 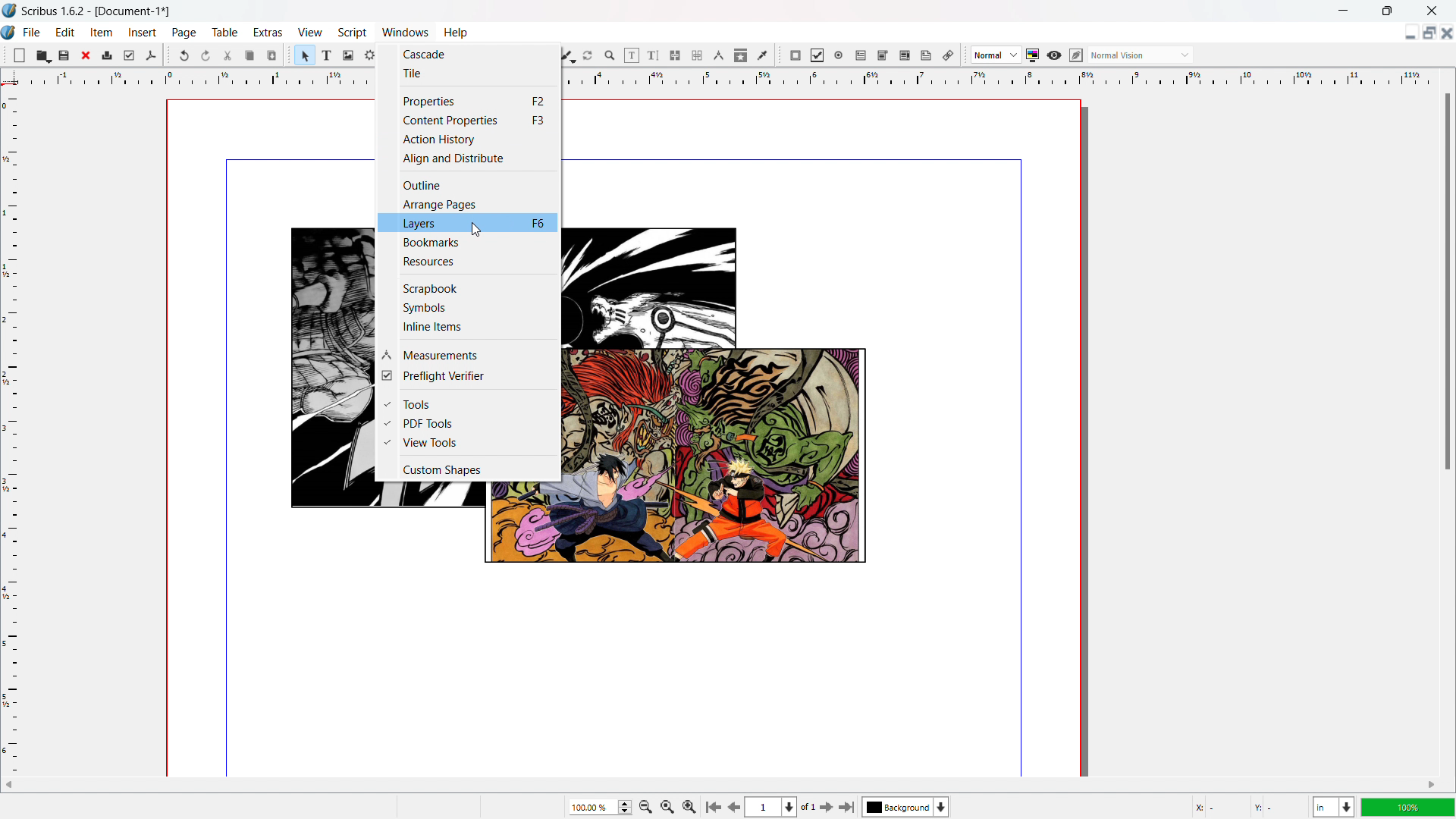 I want to click on Zoom out by the stepping value selected in settings, so click(x=689, y=805).